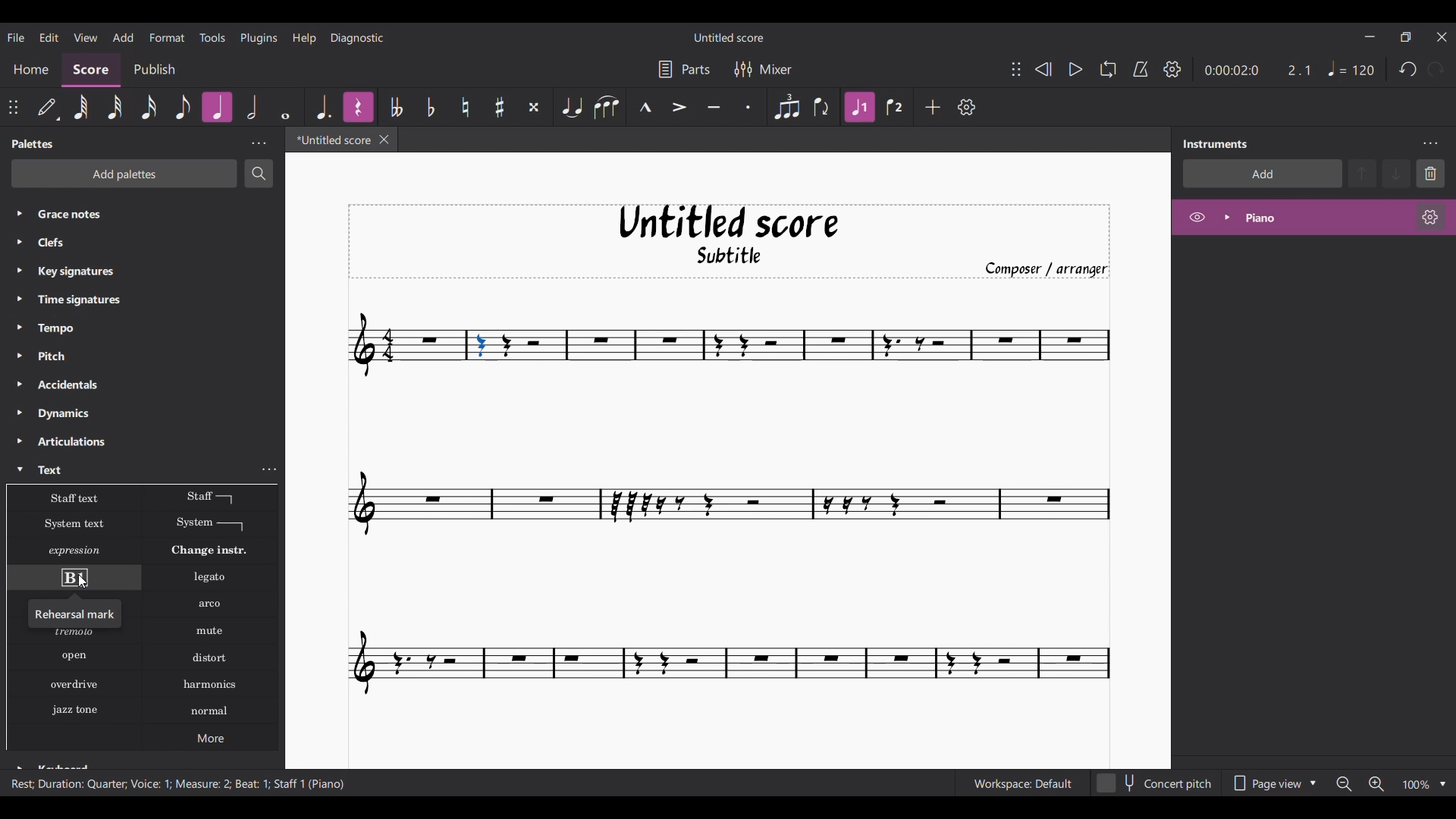 This screenshot has height=819, width=1456. Describe the element at coordinates (1141, 69) in the screenshot. I see `Metronome` at that location.